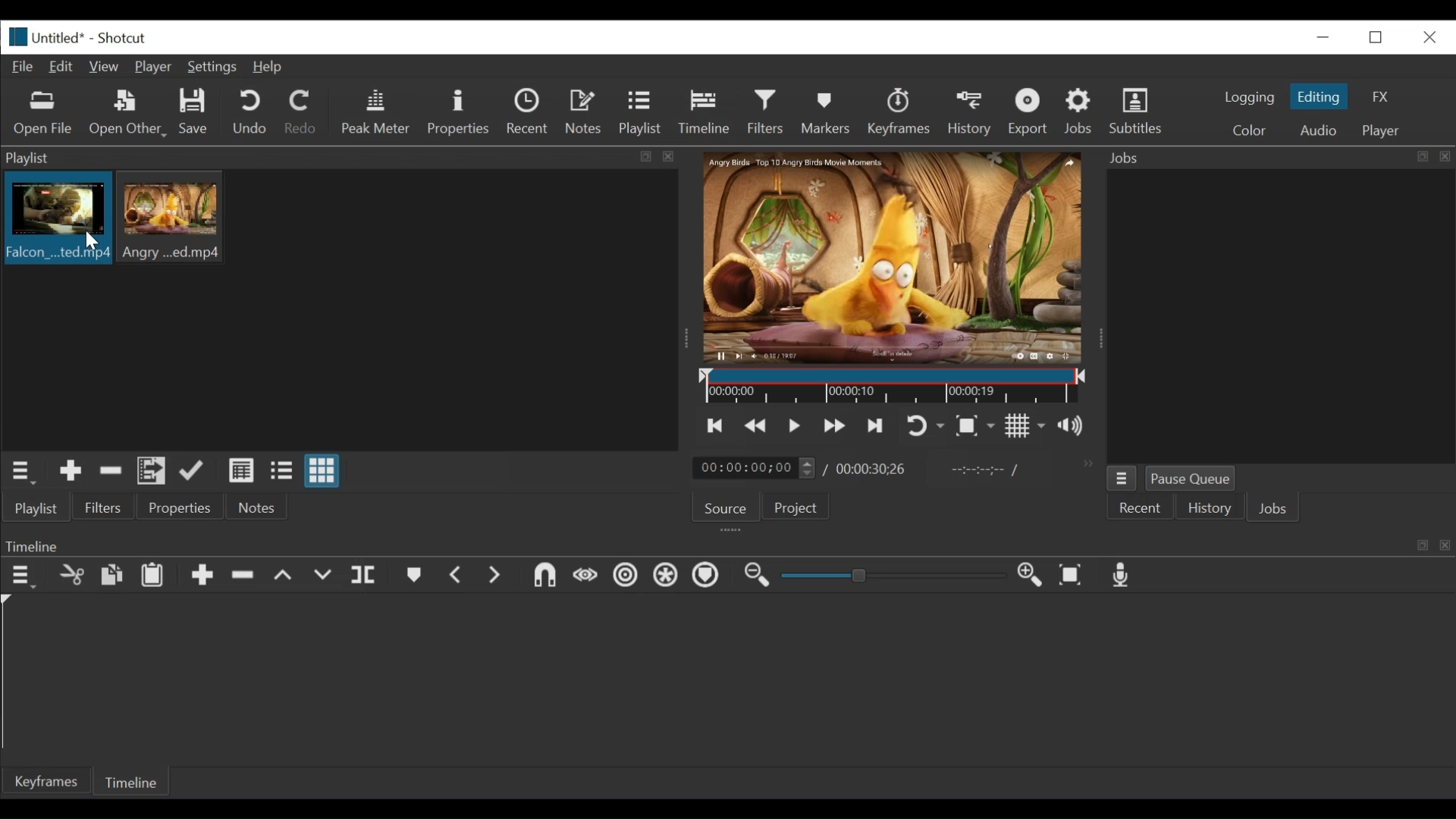  Describe the element at coordinates (1248, 97) in the screenshot. I see `logging` at that location.